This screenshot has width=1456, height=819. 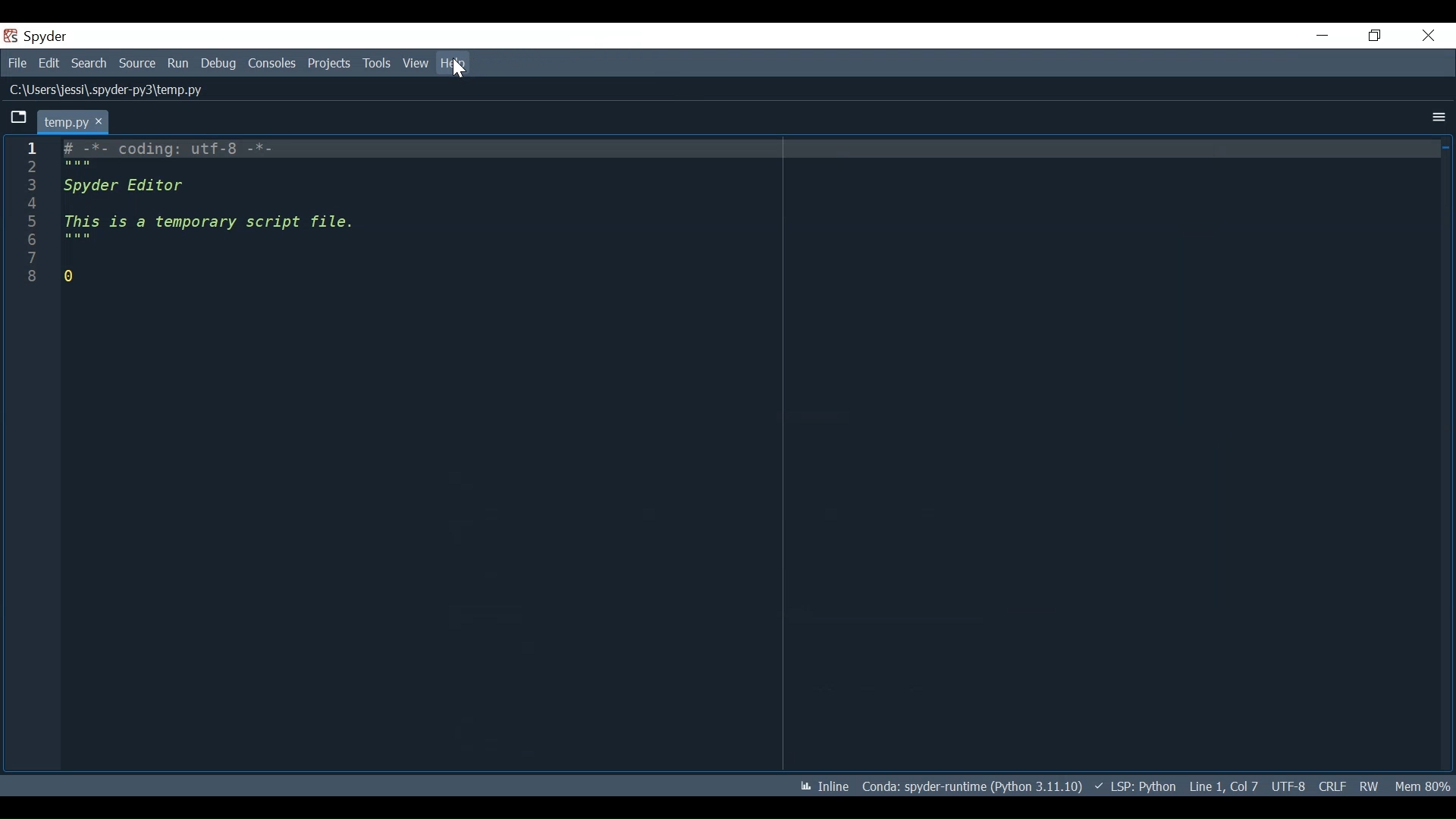 What do you see at coordinates (15, 61) in the screenshot?
I see `File` at bounding box center [15, 61].